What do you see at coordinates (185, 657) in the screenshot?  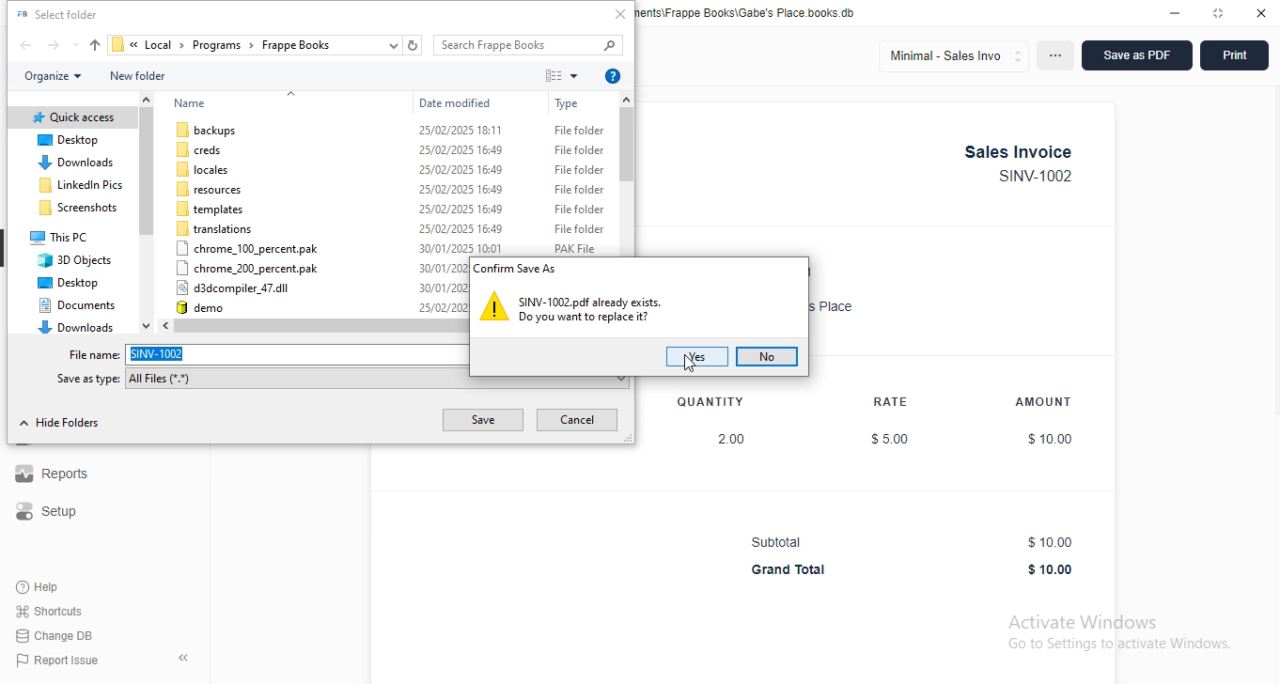 I see `toggle sidebar` at bounding box center [185, 657].